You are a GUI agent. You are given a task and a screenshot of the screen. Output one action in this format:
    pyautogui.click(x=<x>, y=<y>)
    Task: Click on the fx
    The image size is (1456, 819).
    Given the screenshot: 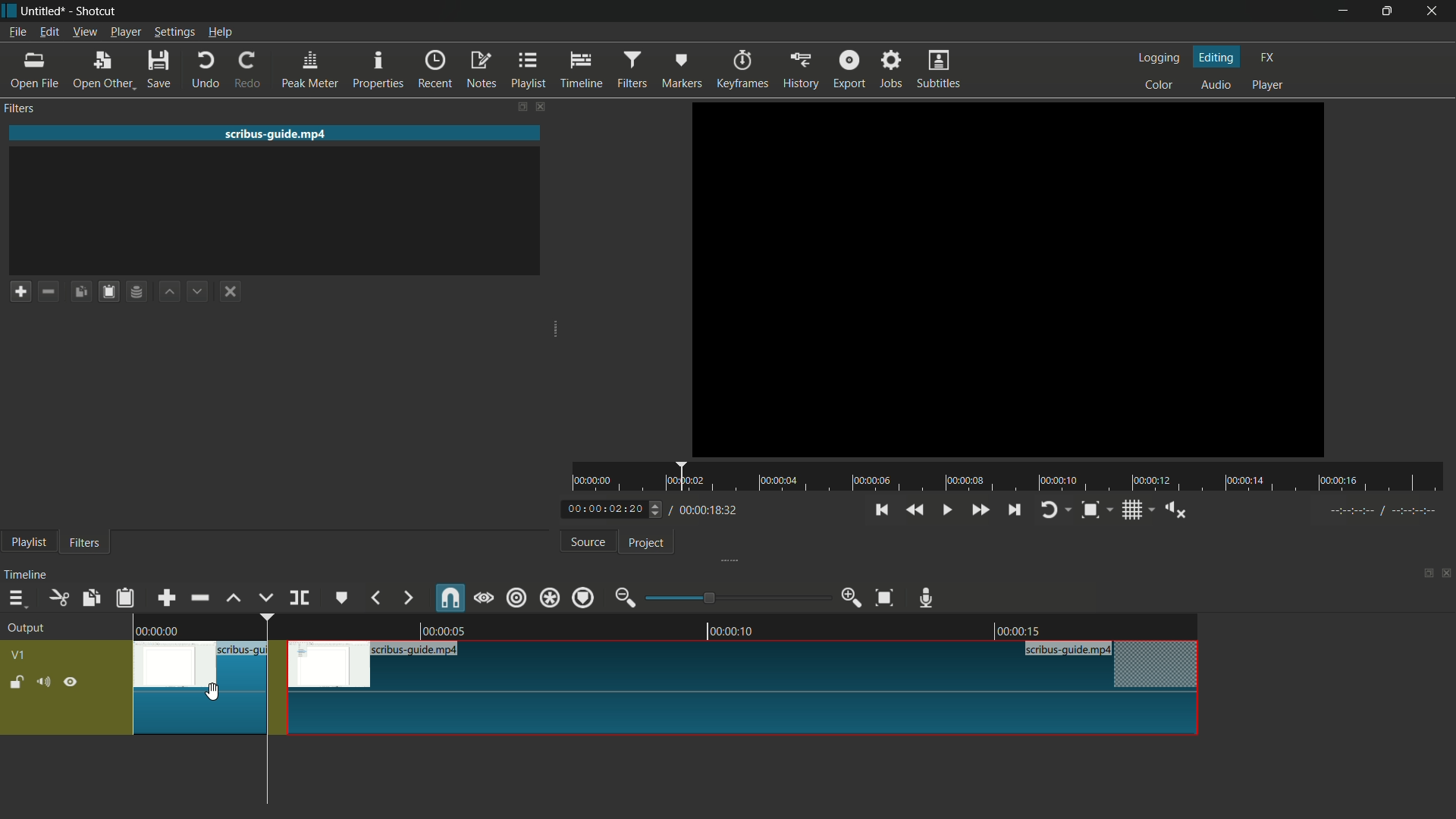 What is the action you would take?
    pyautogui.click(x=1267, y=55)
    